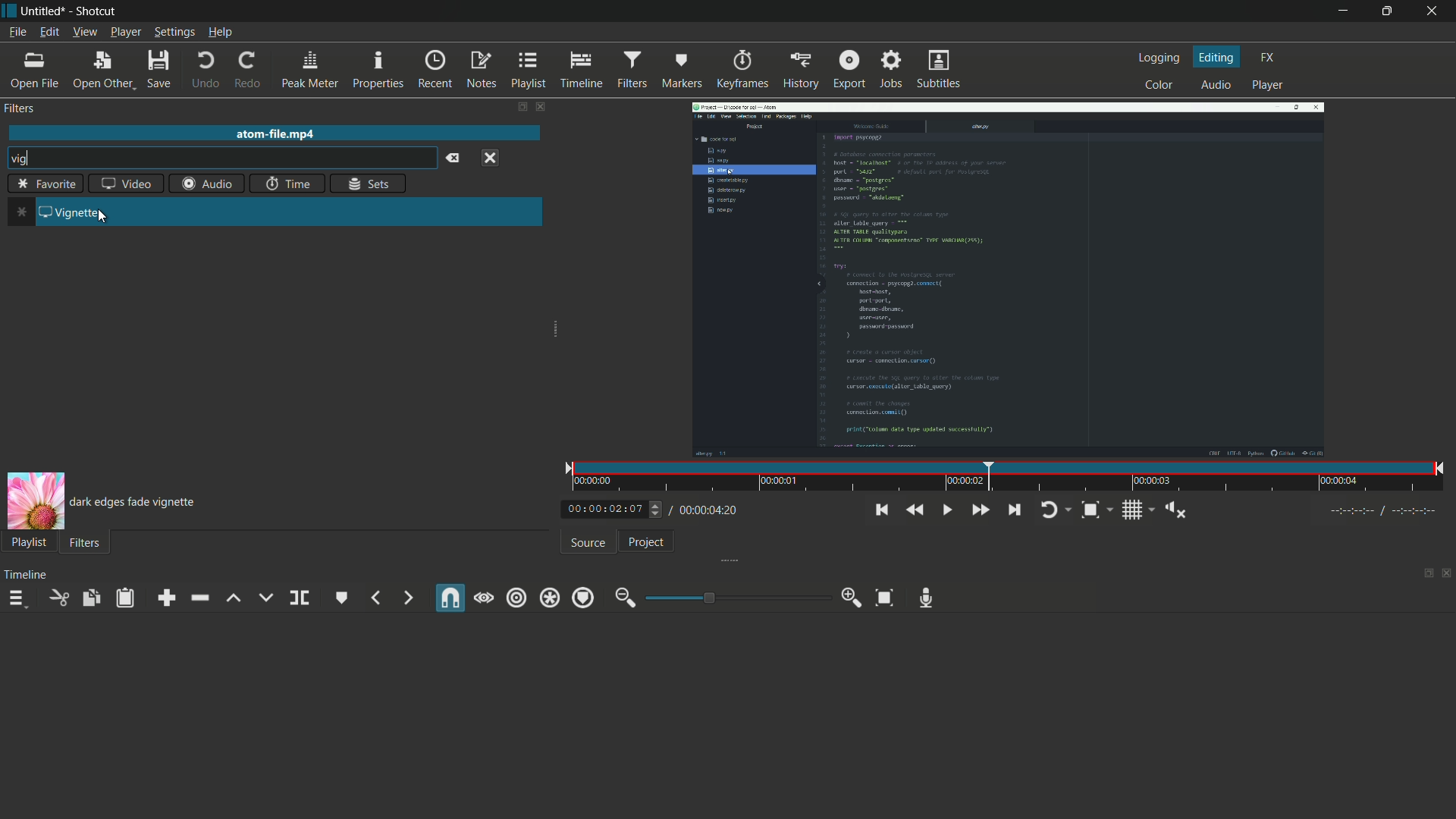  I want to click on clear search, so click(453, 158).